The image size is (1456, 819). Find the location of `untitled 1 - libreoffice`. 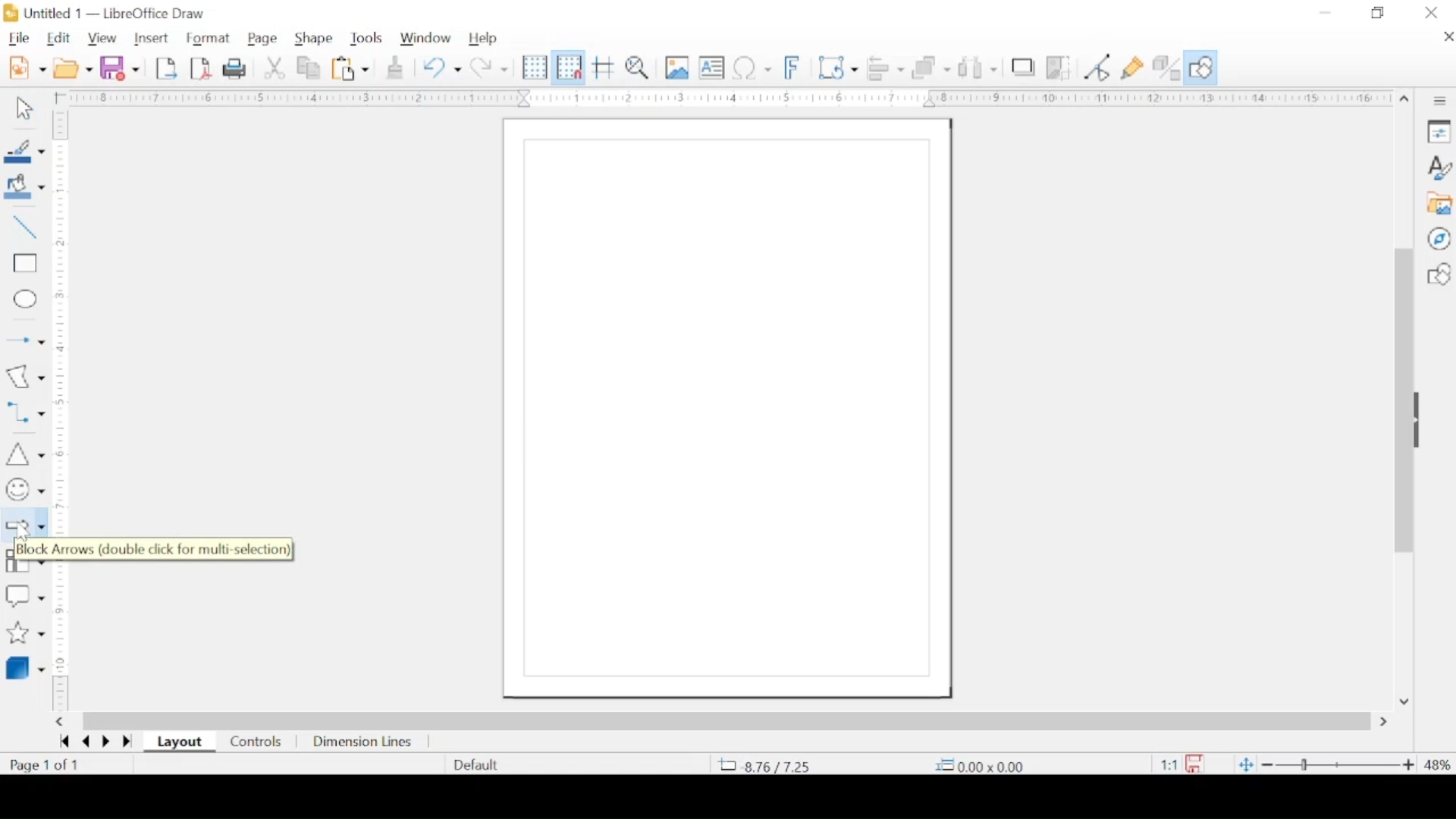

untitled 1 - libreoffice is located at coordinates (108, 13).